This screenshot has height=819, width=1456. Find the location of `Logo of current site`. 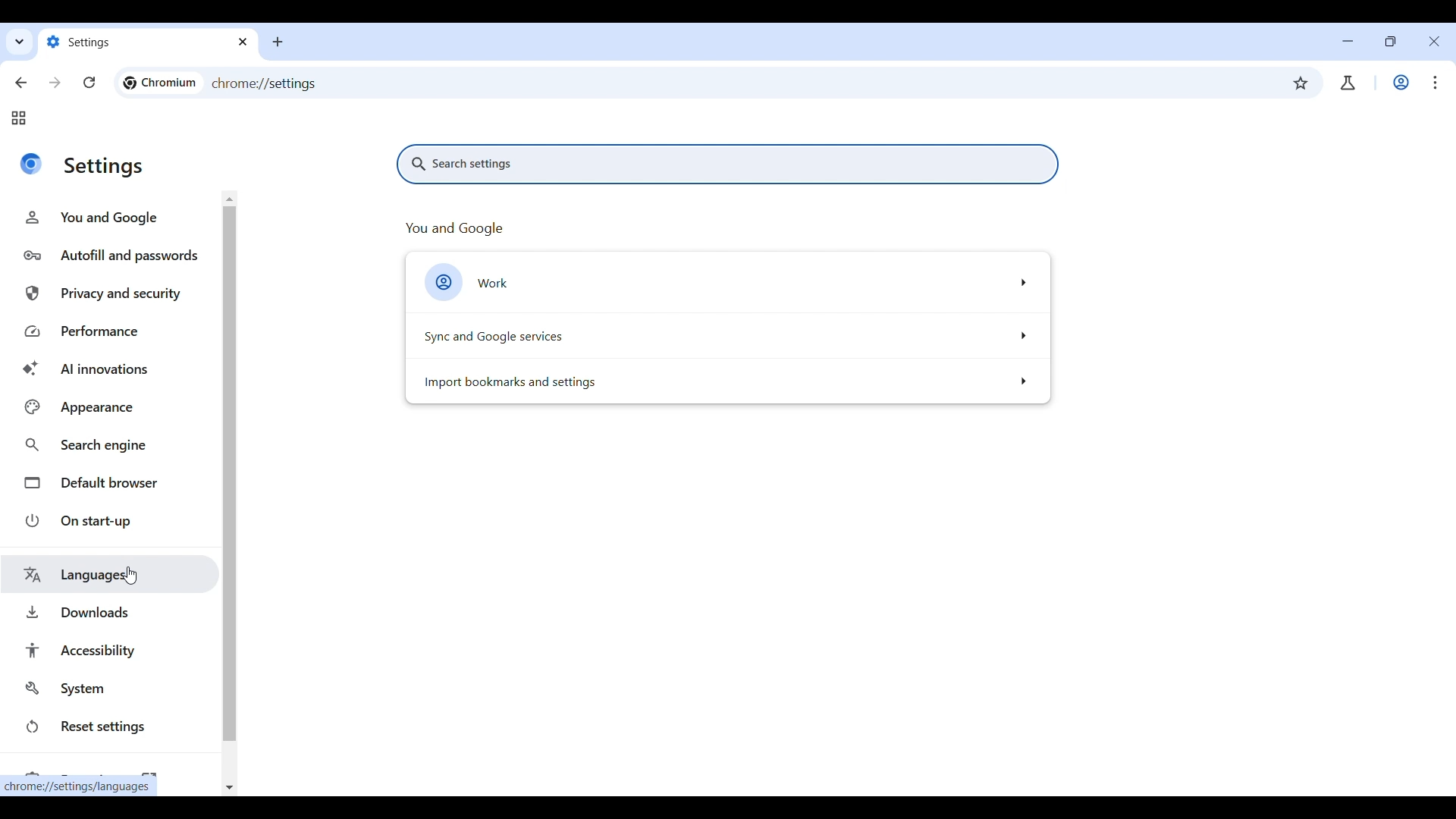

Logo of current site is located at coordinates (30, 164).